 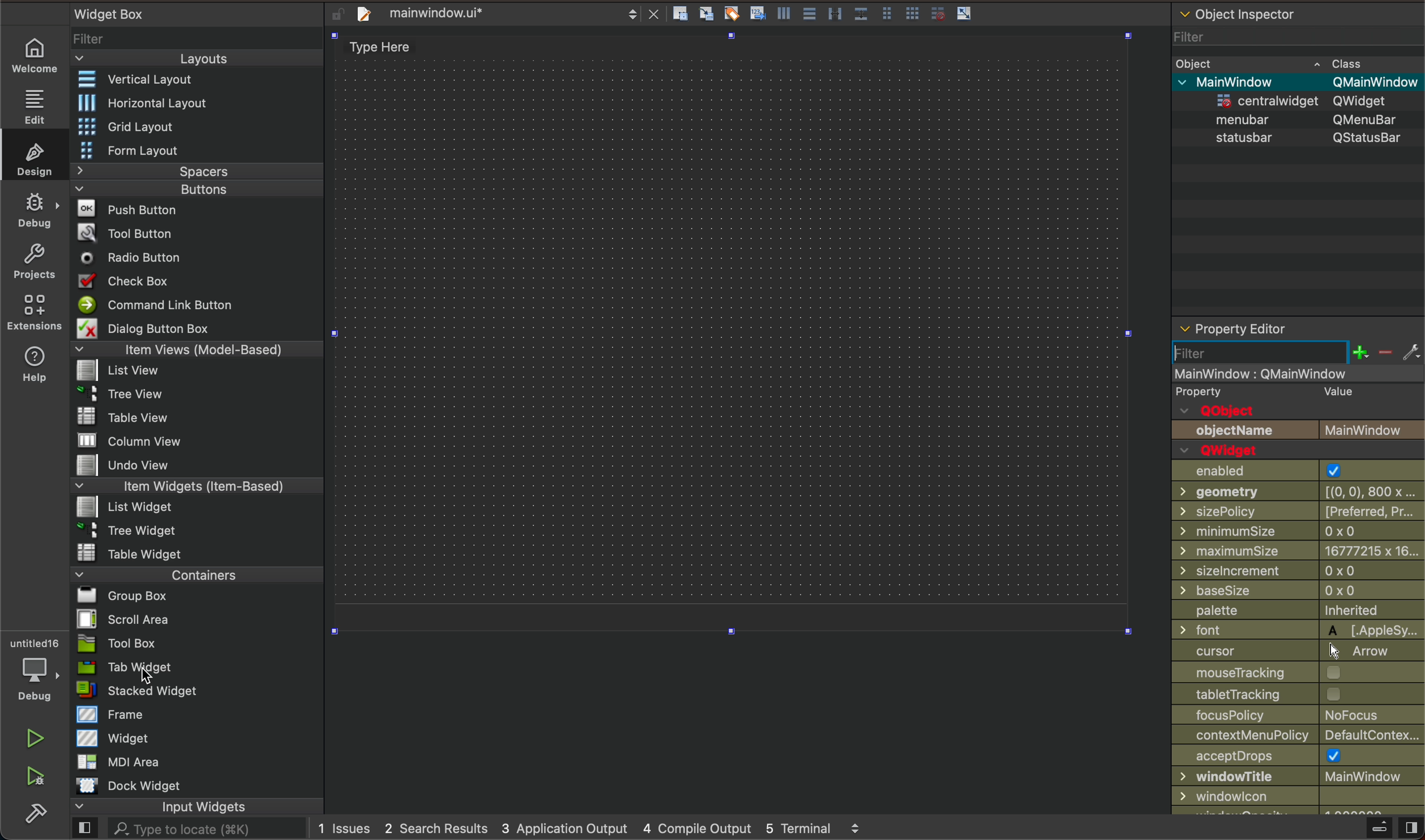 I want to click on , so click(x=1300, y=673).